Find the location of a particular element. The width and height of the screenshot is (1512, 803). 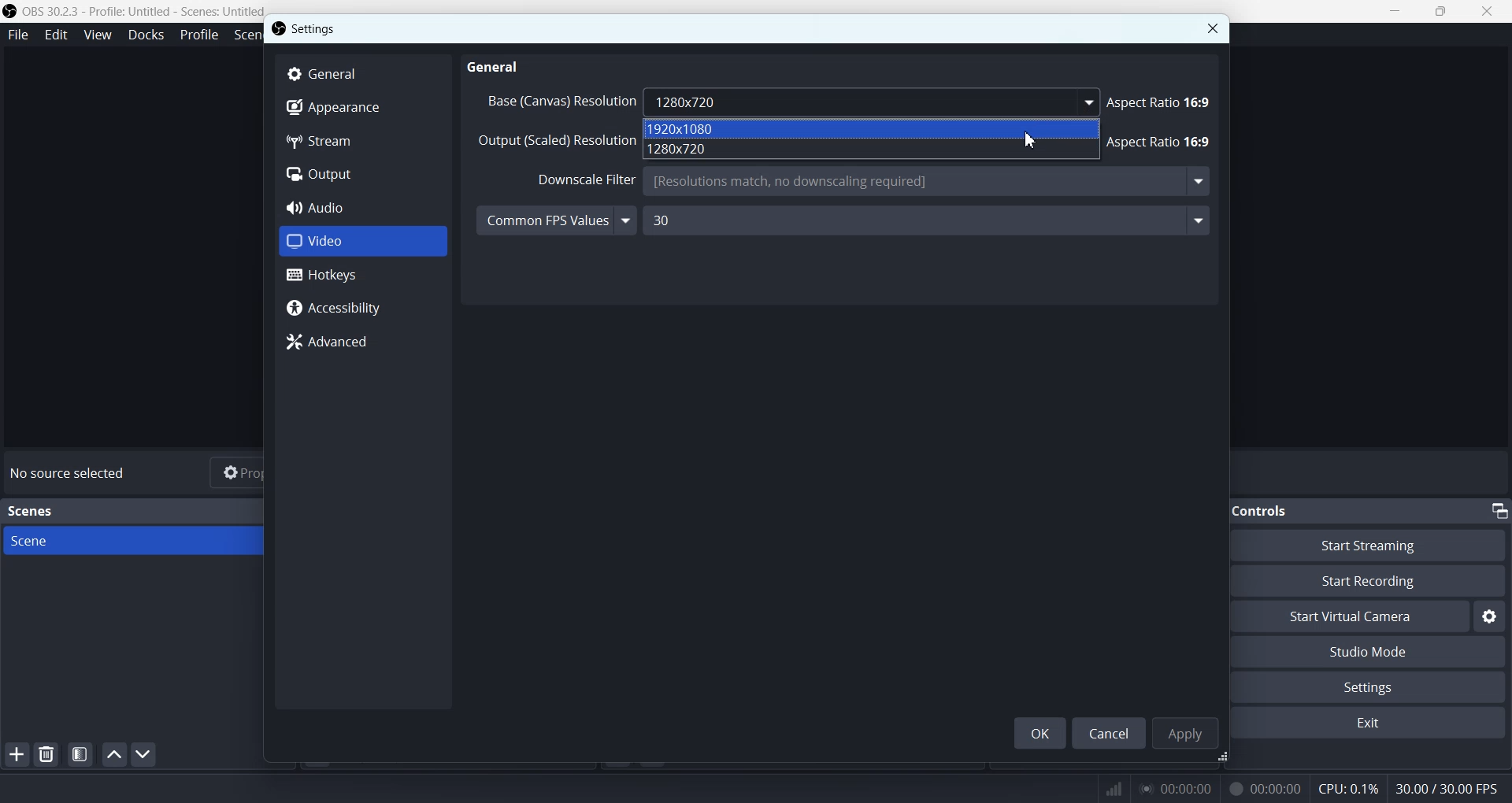

Stream is located at coordinates (362, 142).